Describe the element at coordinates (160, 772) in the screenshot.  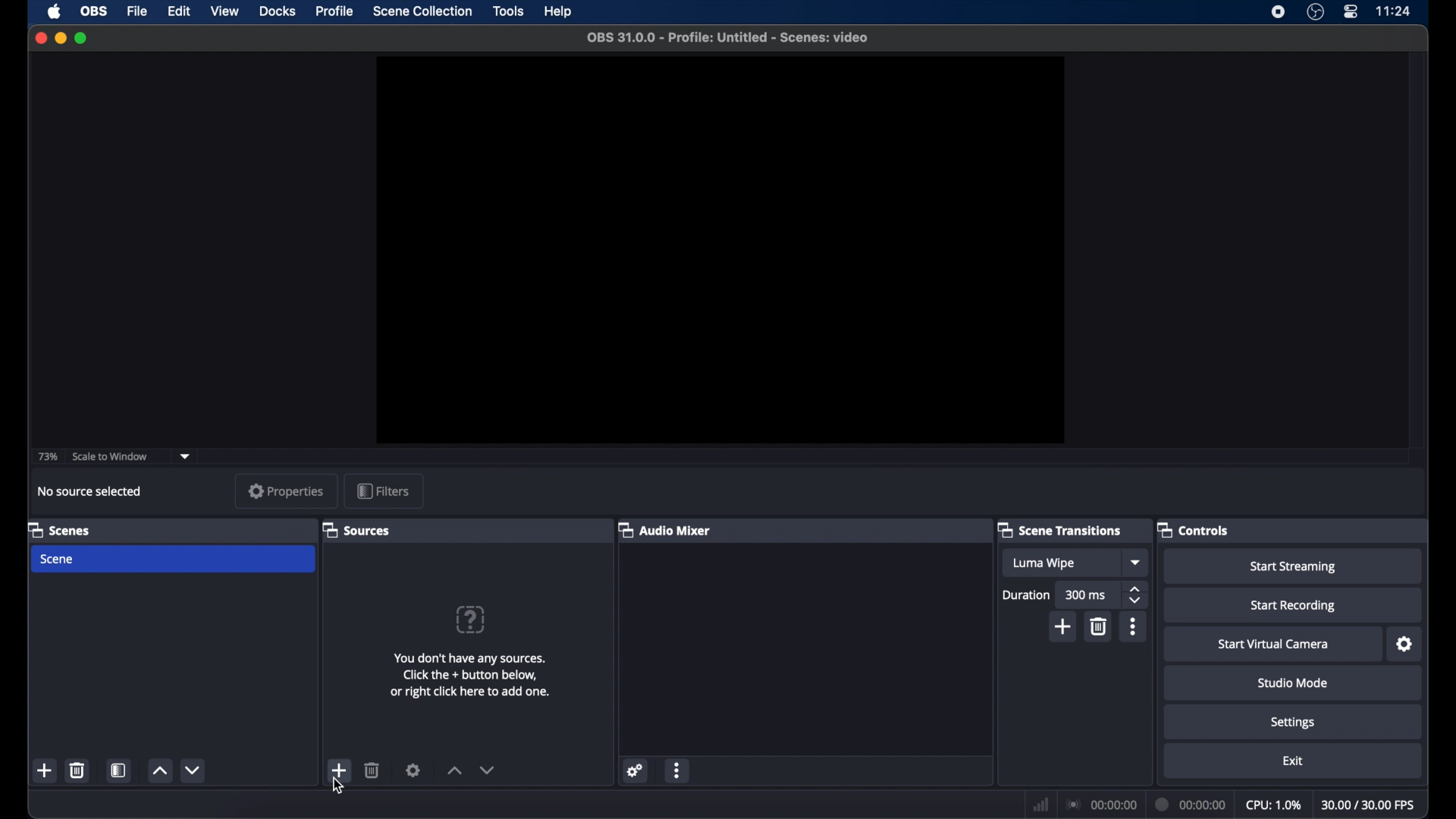
I see `increment` at that location.